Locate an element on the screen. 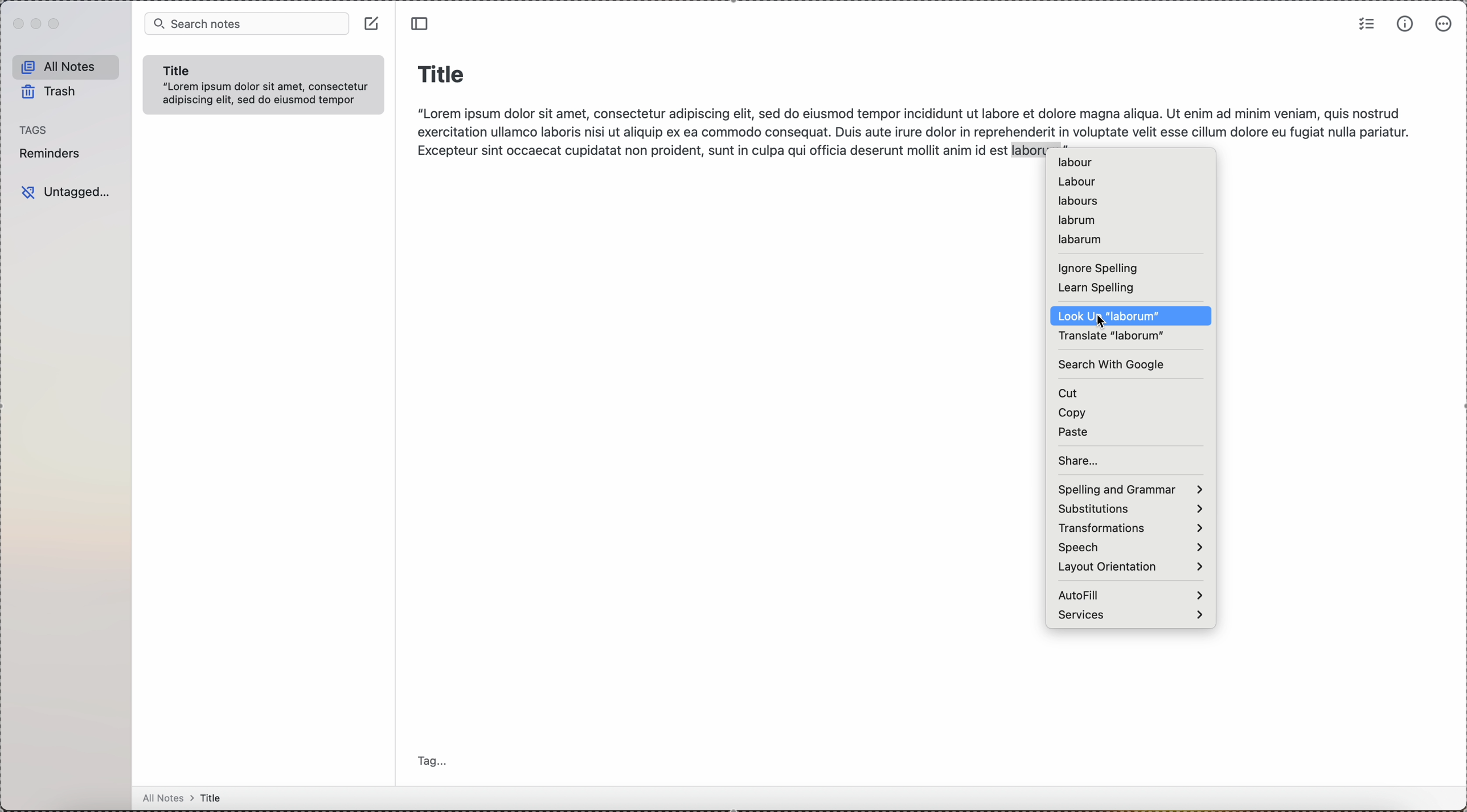  note is located at coordinates (266, 84).